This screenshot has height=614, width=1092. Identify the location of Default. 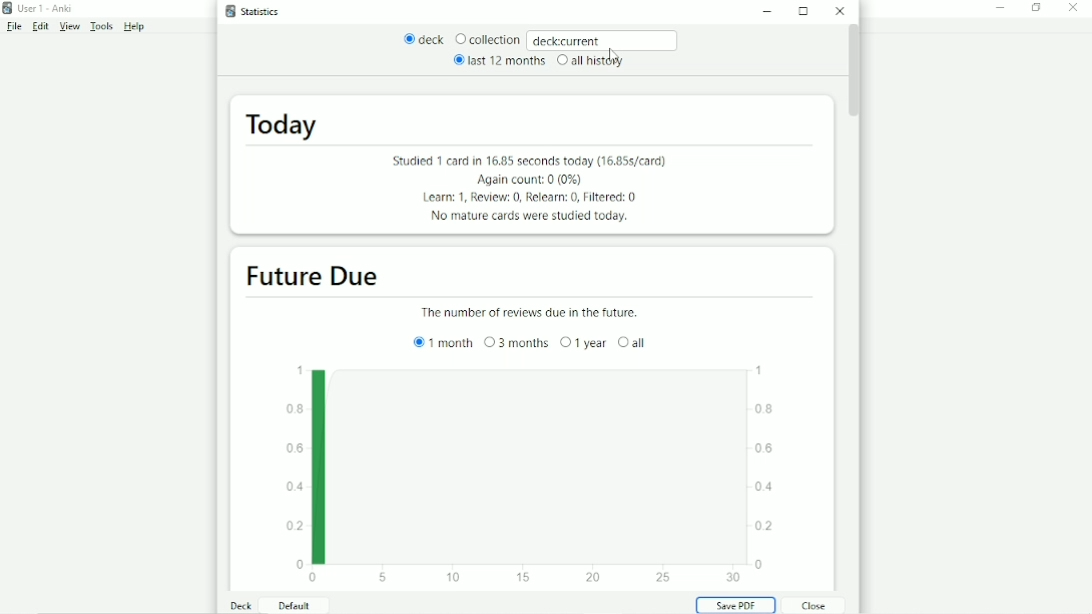
(291, 606).